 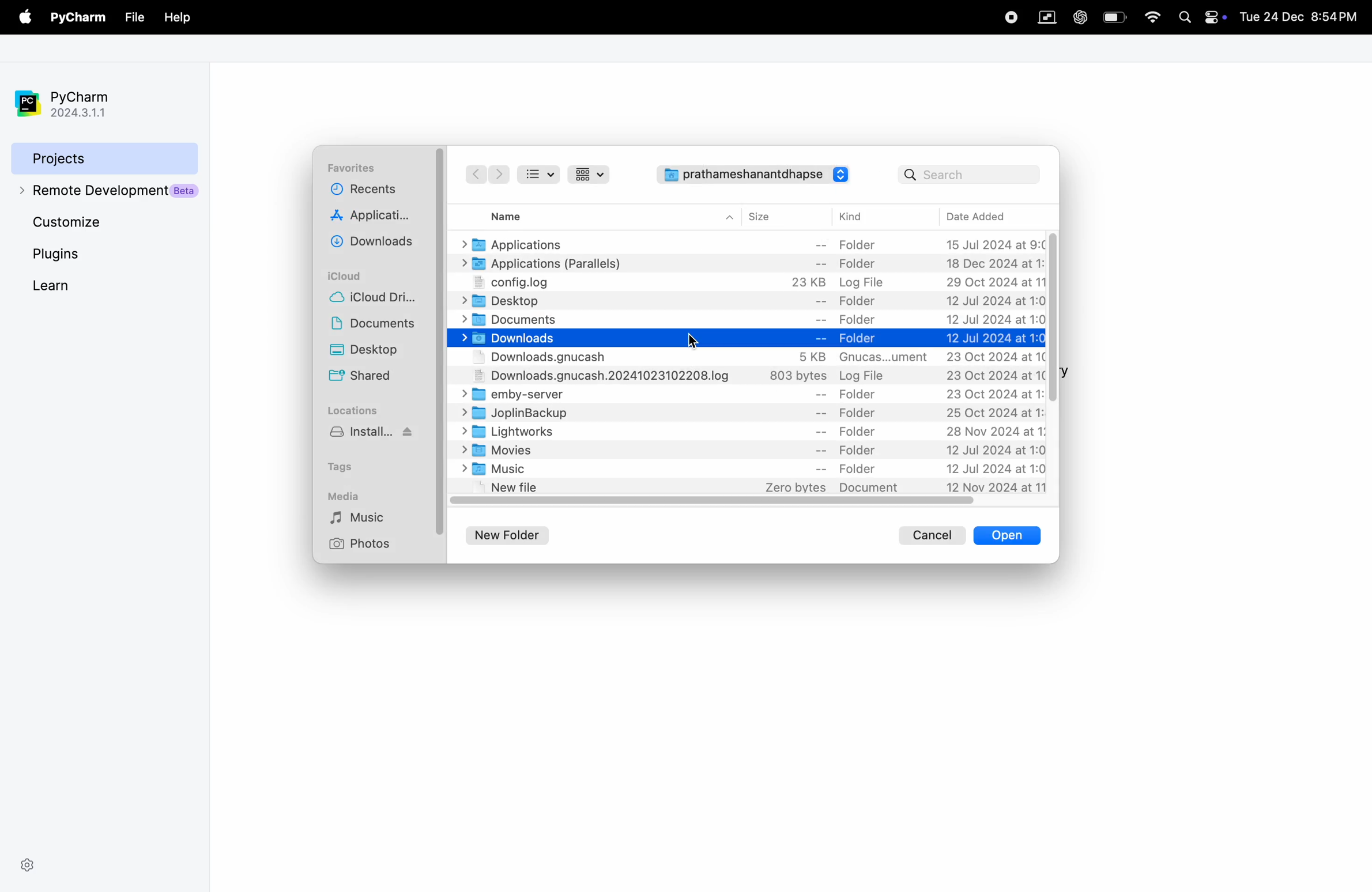 What do you see at coordinates (748, 264) in the screenshot?
I see `applications (parallels)` at bounding box center [748, 264].